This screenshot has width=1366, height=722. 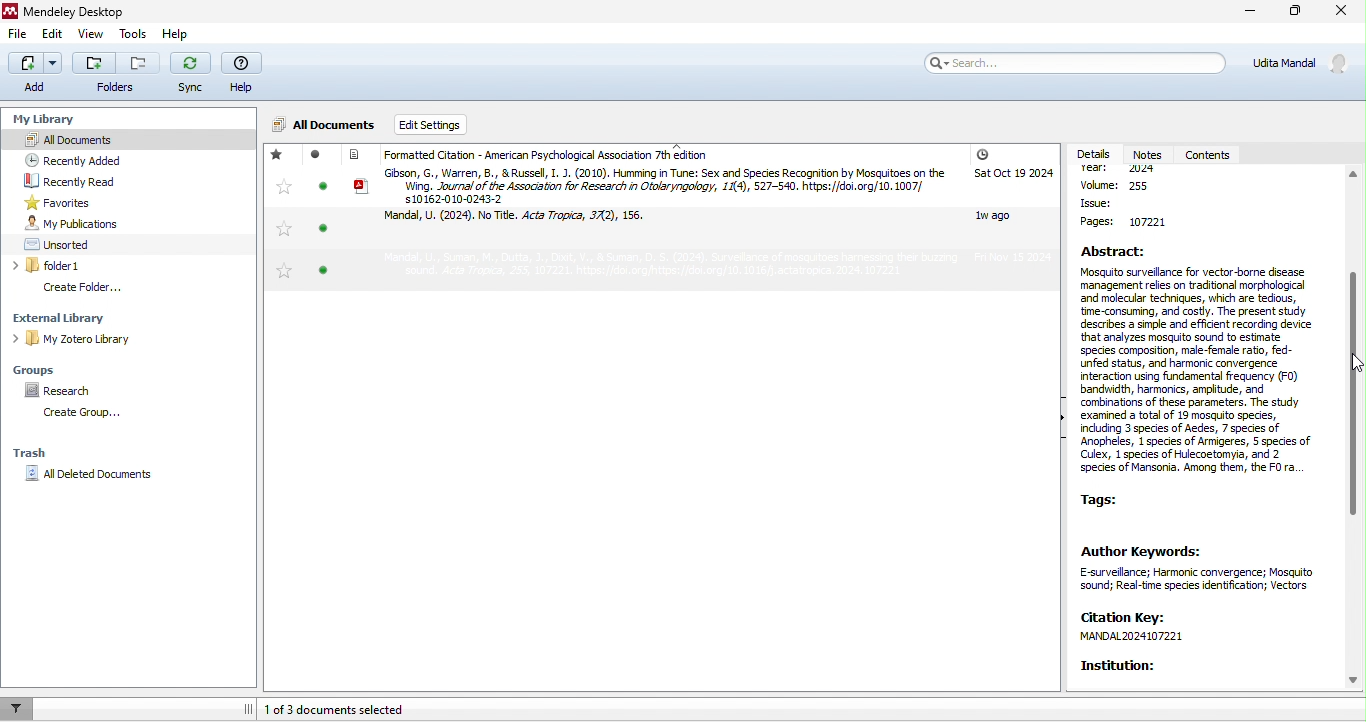 I want to click on issue, so click(x=1111, y=204).